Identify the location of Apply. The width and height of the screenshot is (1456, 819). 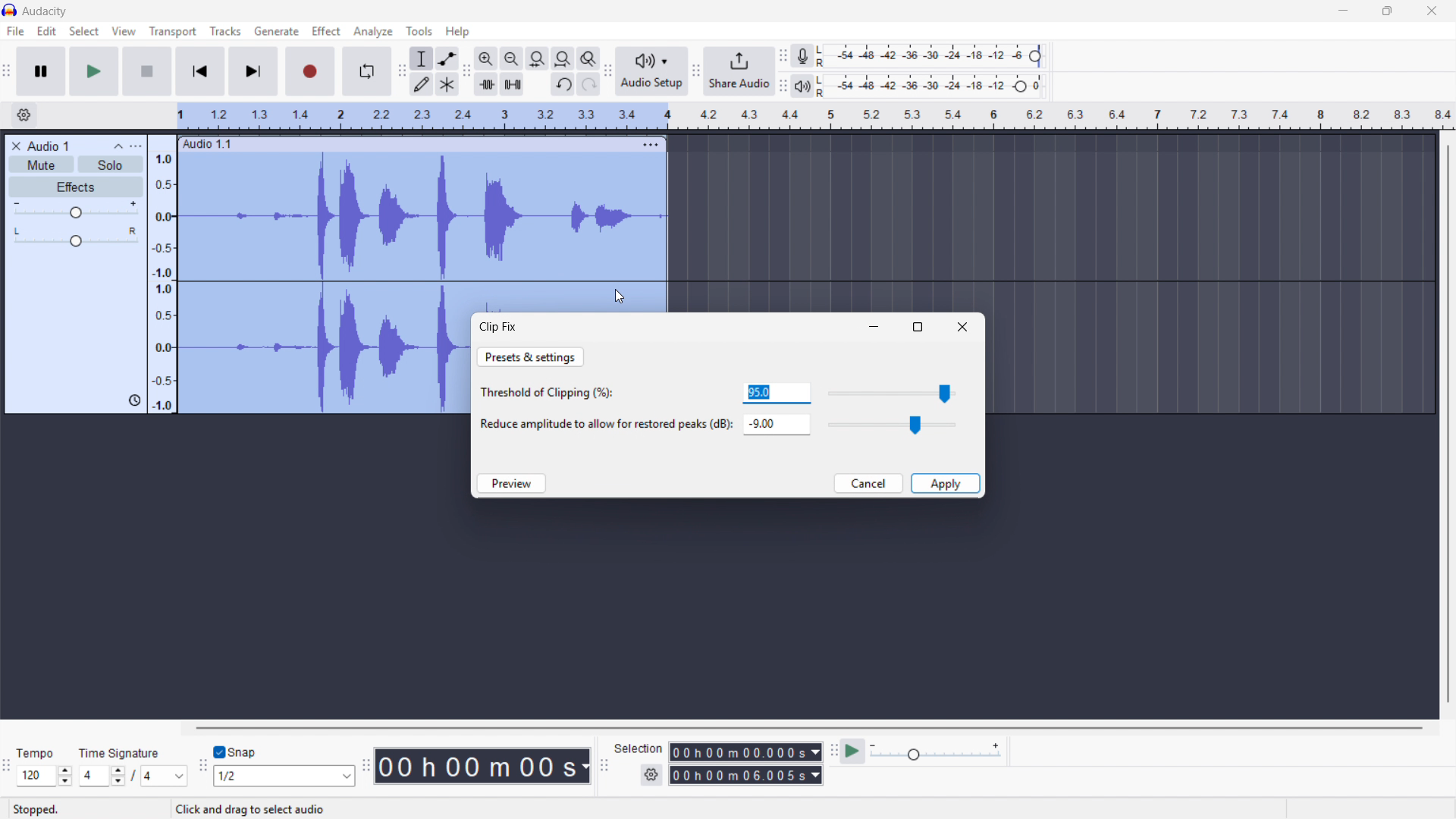
(946, 483).